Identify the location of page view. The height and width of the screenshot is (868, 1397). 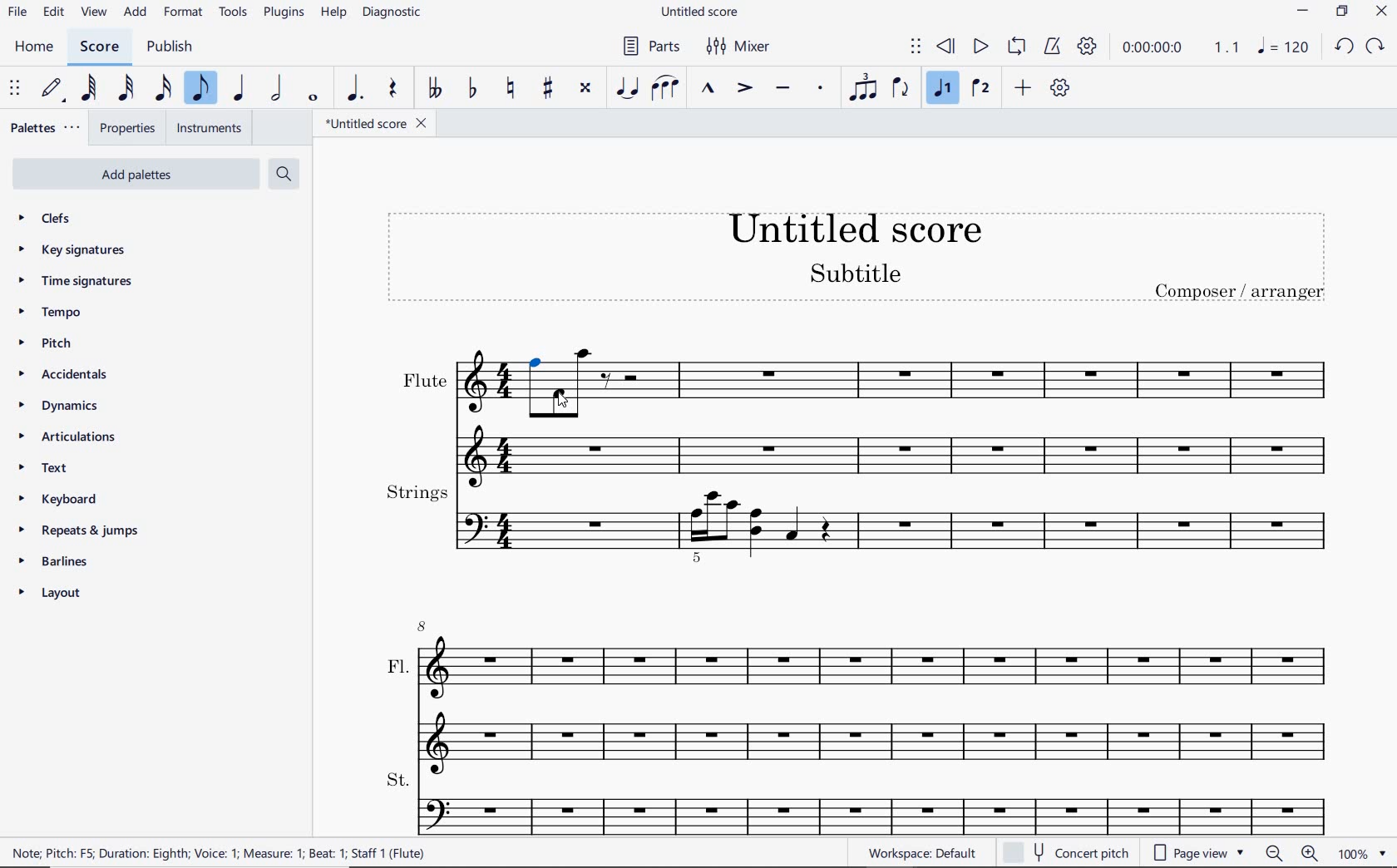
(1197, 853).